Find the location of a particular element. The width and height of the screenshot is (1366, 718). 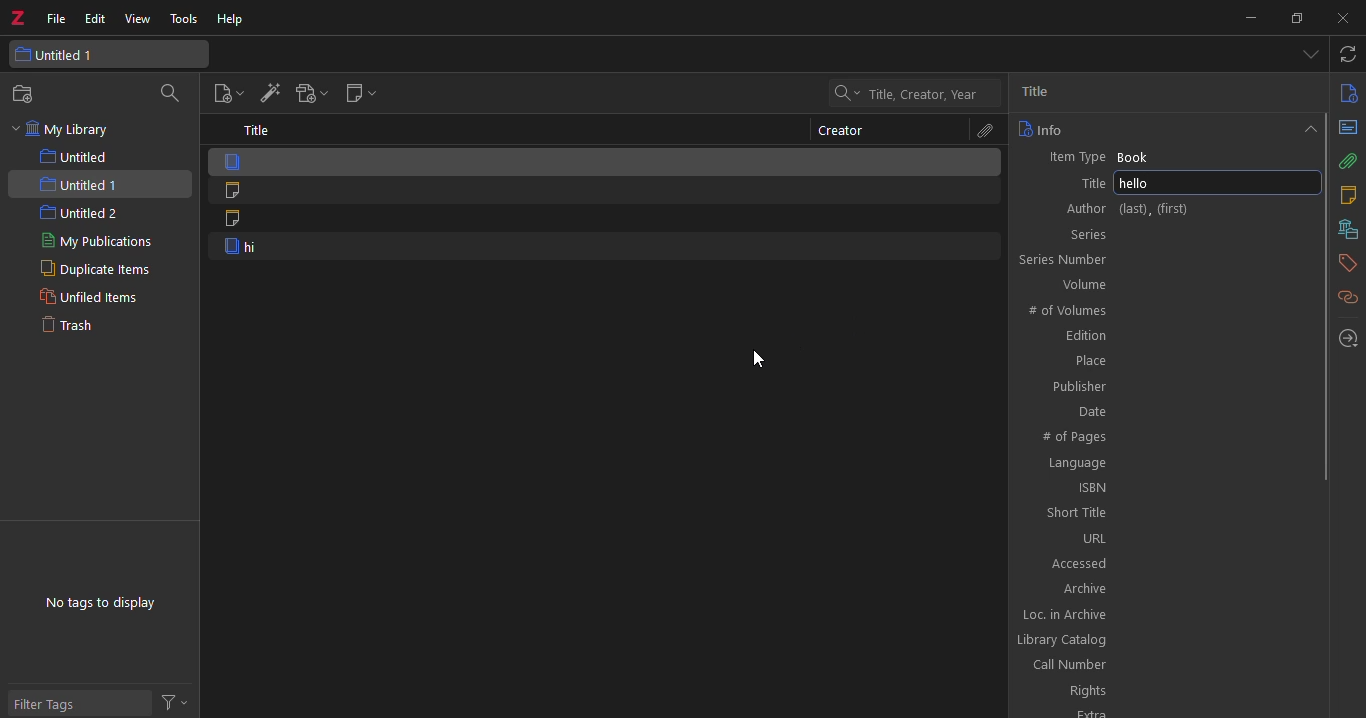

creator is located at coordinates (841, 131).